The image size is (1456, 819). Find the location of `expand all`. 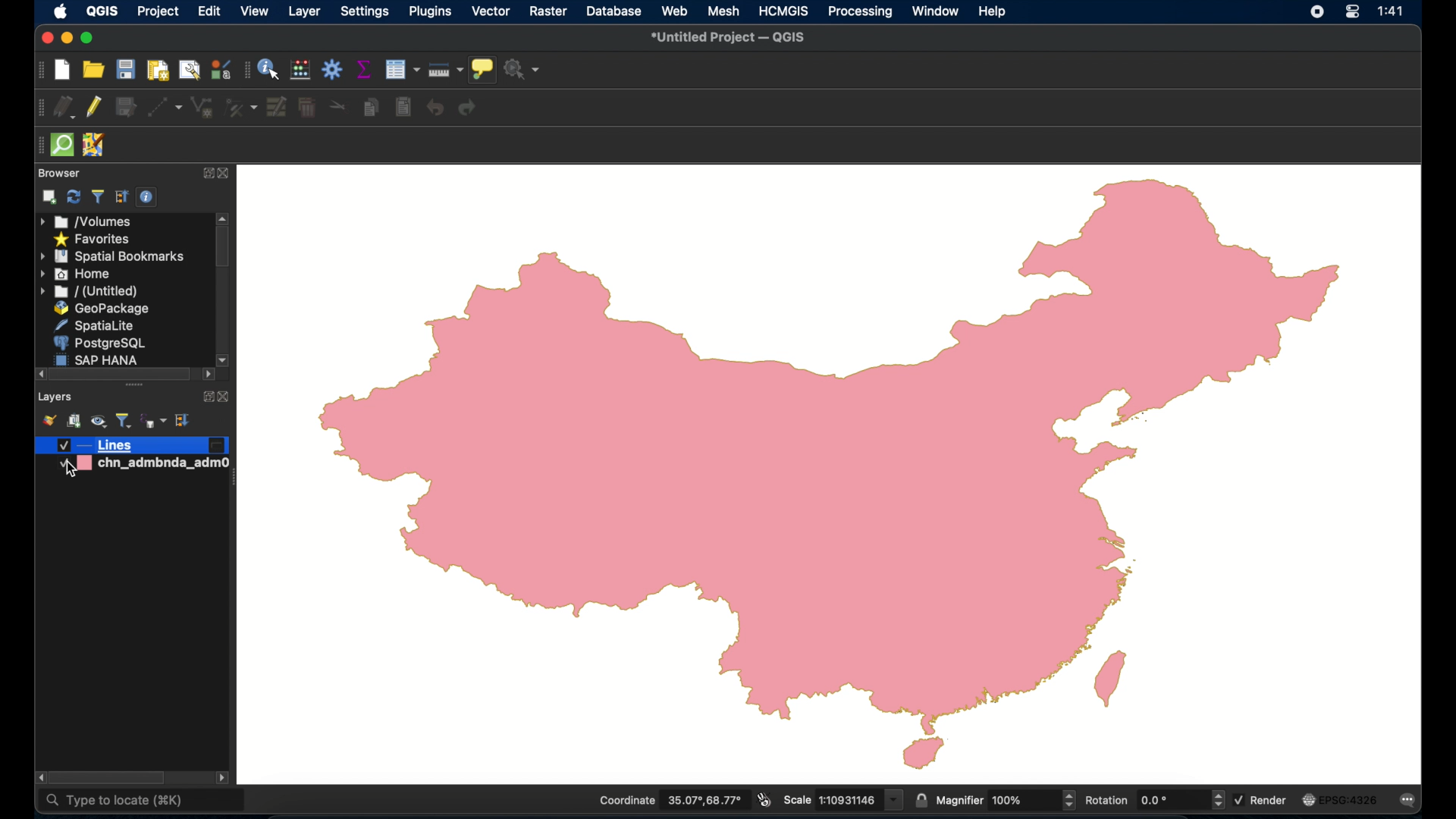

expand all is located at coordinates (184, 420).